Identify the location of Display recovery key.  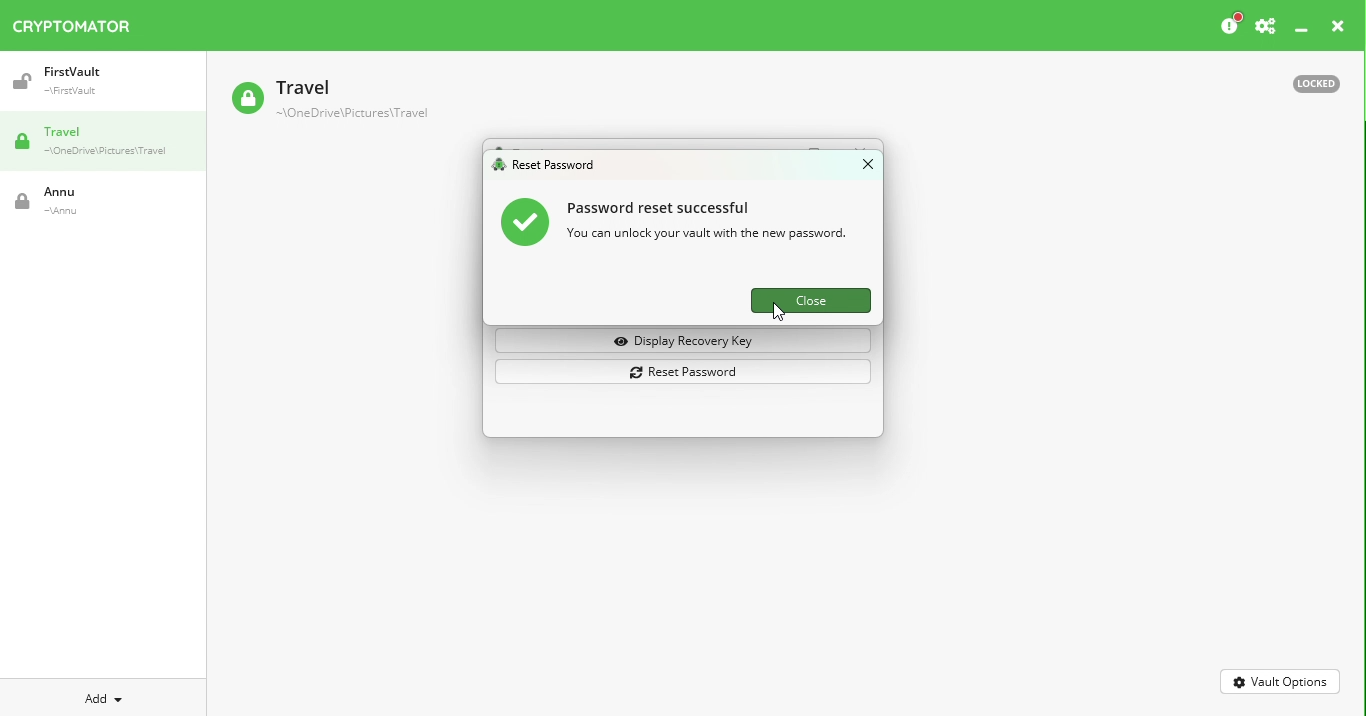
(687, 341).